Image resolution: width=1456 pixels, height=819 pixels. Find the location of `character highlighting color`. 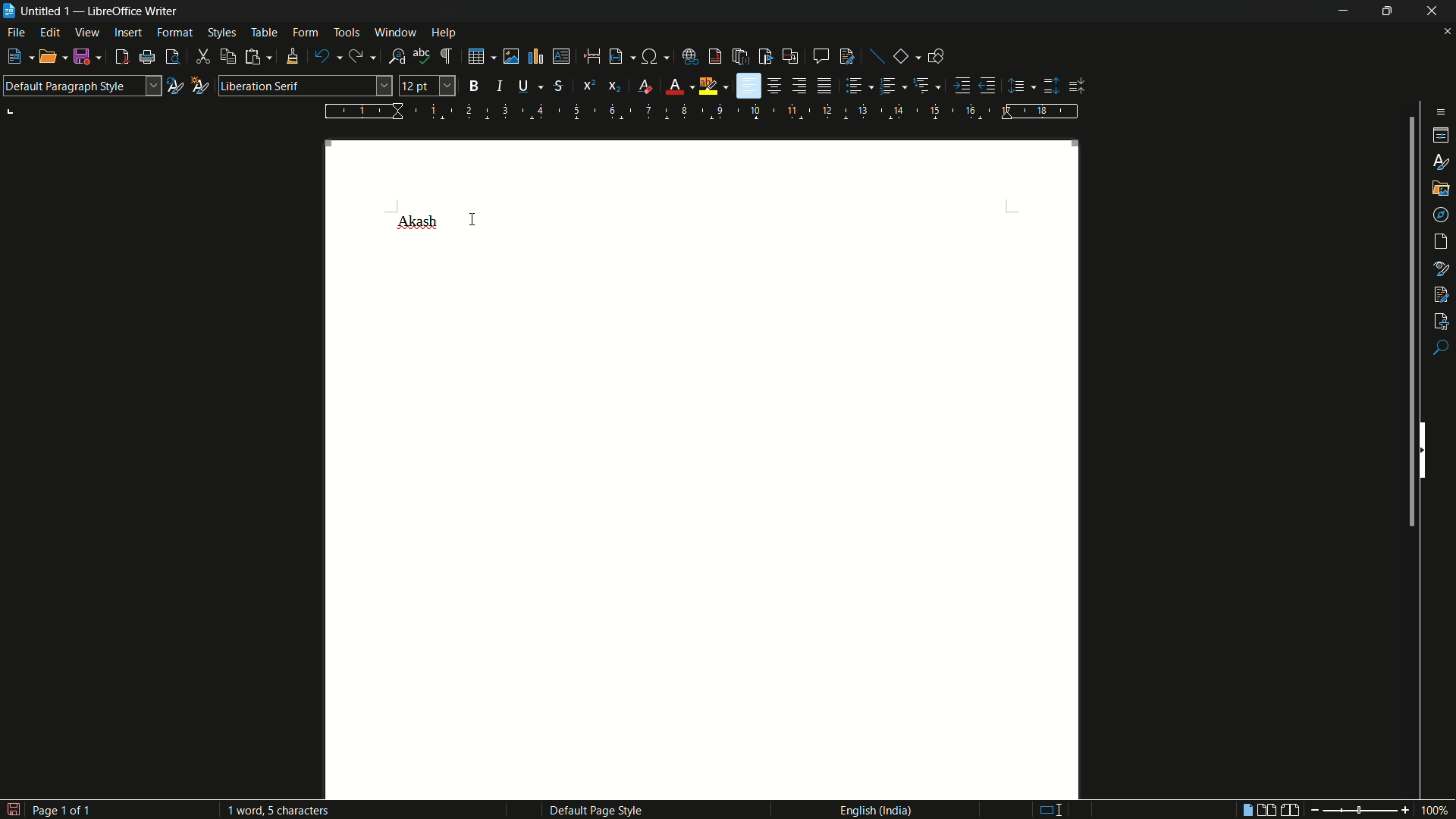

character highlighting color is located at coordinates (708, 86).